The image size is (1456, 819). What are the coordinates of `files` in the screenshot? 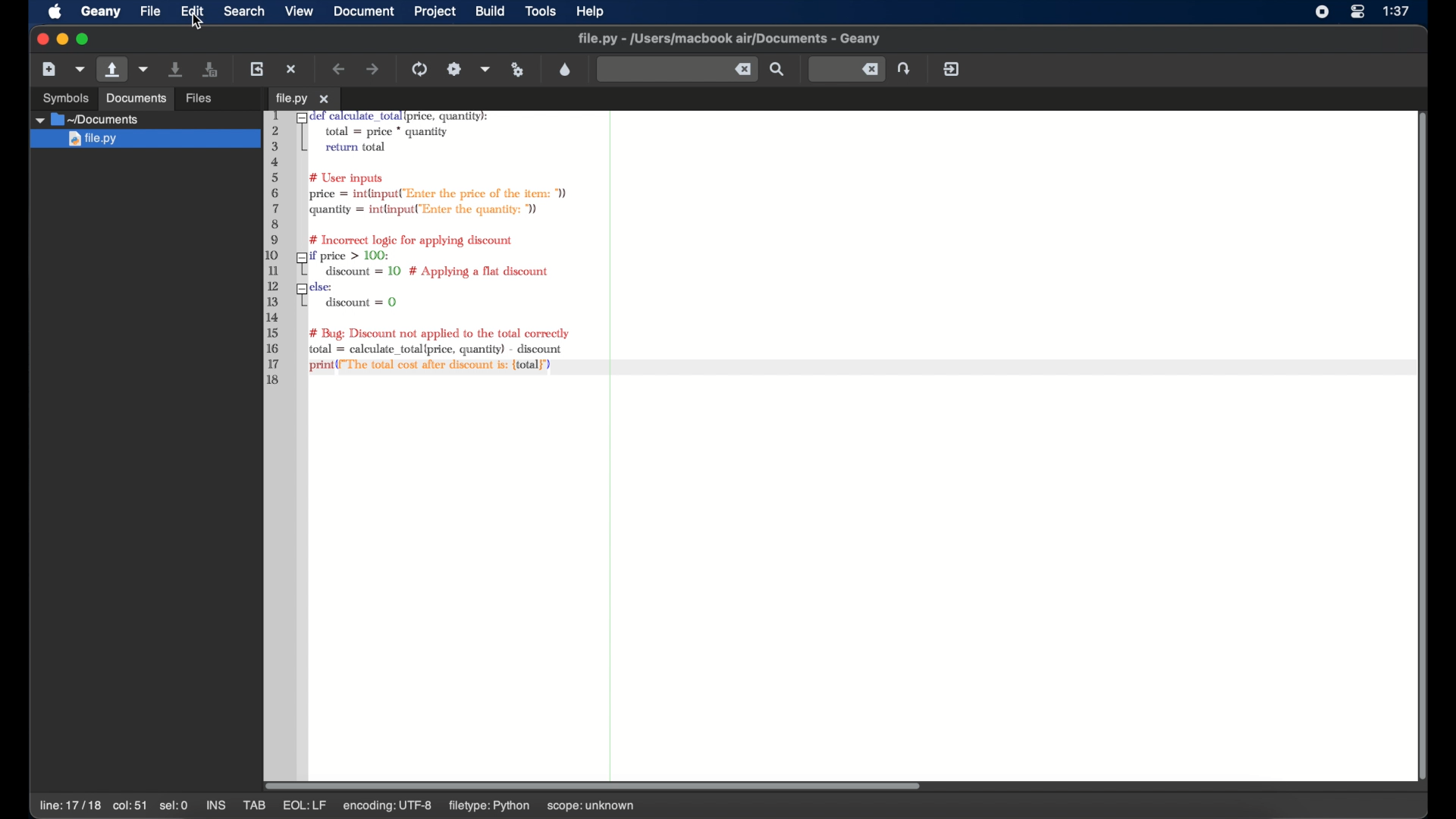 It's located at (201, 96).